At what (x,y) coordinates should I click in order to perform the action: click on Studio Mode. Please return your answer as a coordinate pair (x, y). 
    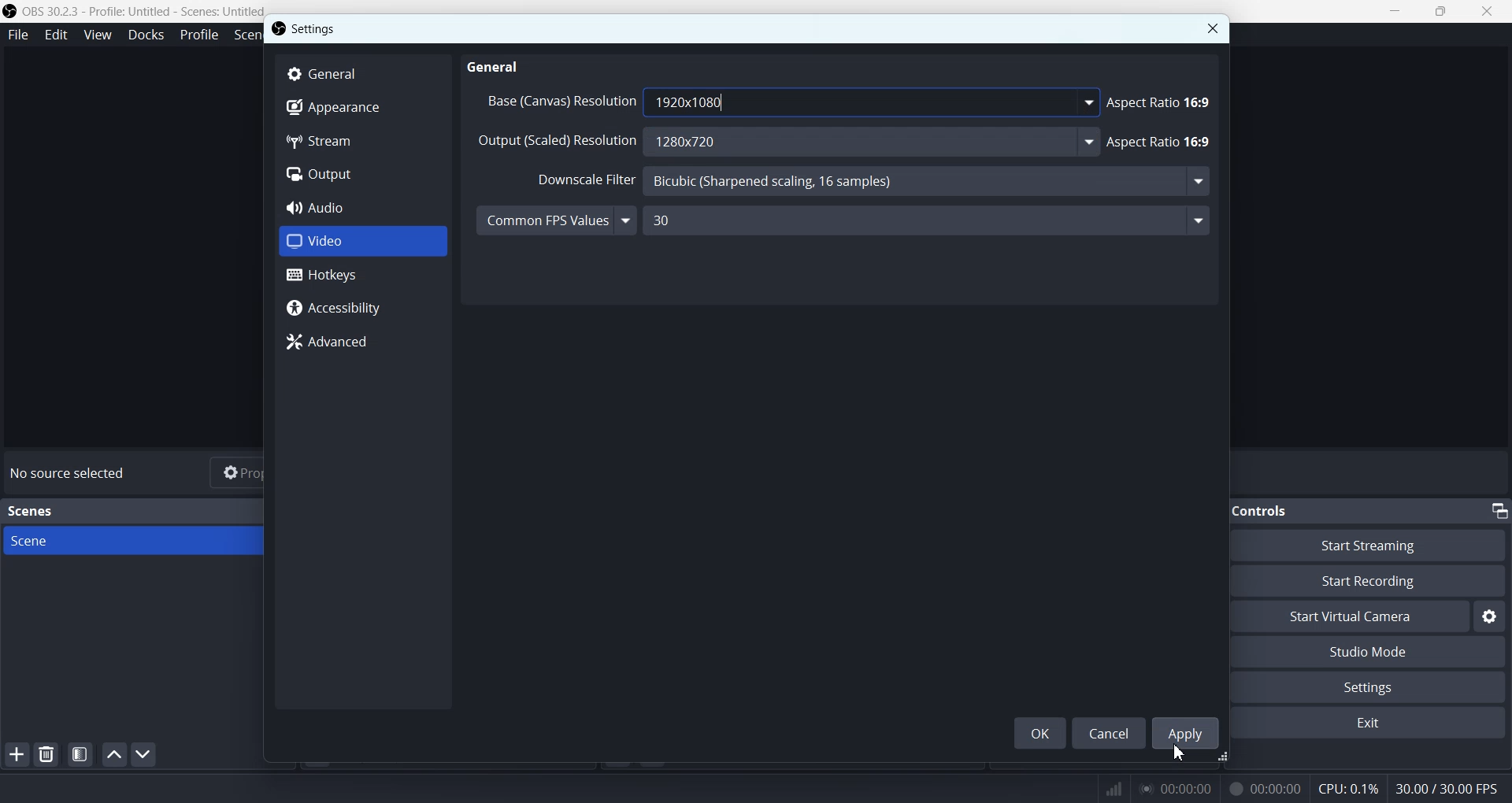
    Looking at the image, I should click on (1377, 653).